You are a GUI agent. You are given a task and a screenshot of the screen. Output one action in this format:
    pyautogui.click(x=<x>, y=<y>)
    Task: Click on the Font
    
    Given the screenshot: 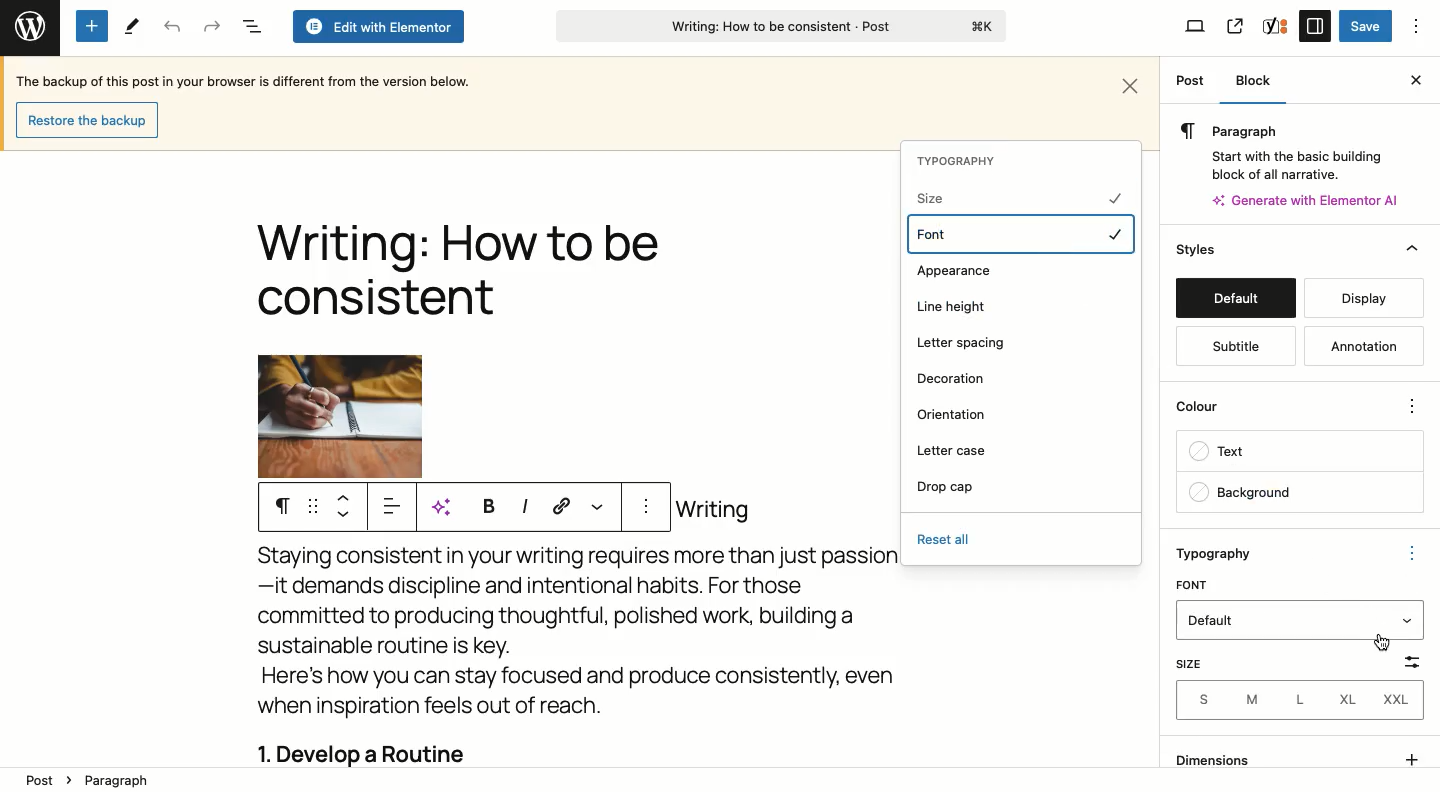 What is the action you would take?
    pyautogui.click(x=1022, y=234)
    